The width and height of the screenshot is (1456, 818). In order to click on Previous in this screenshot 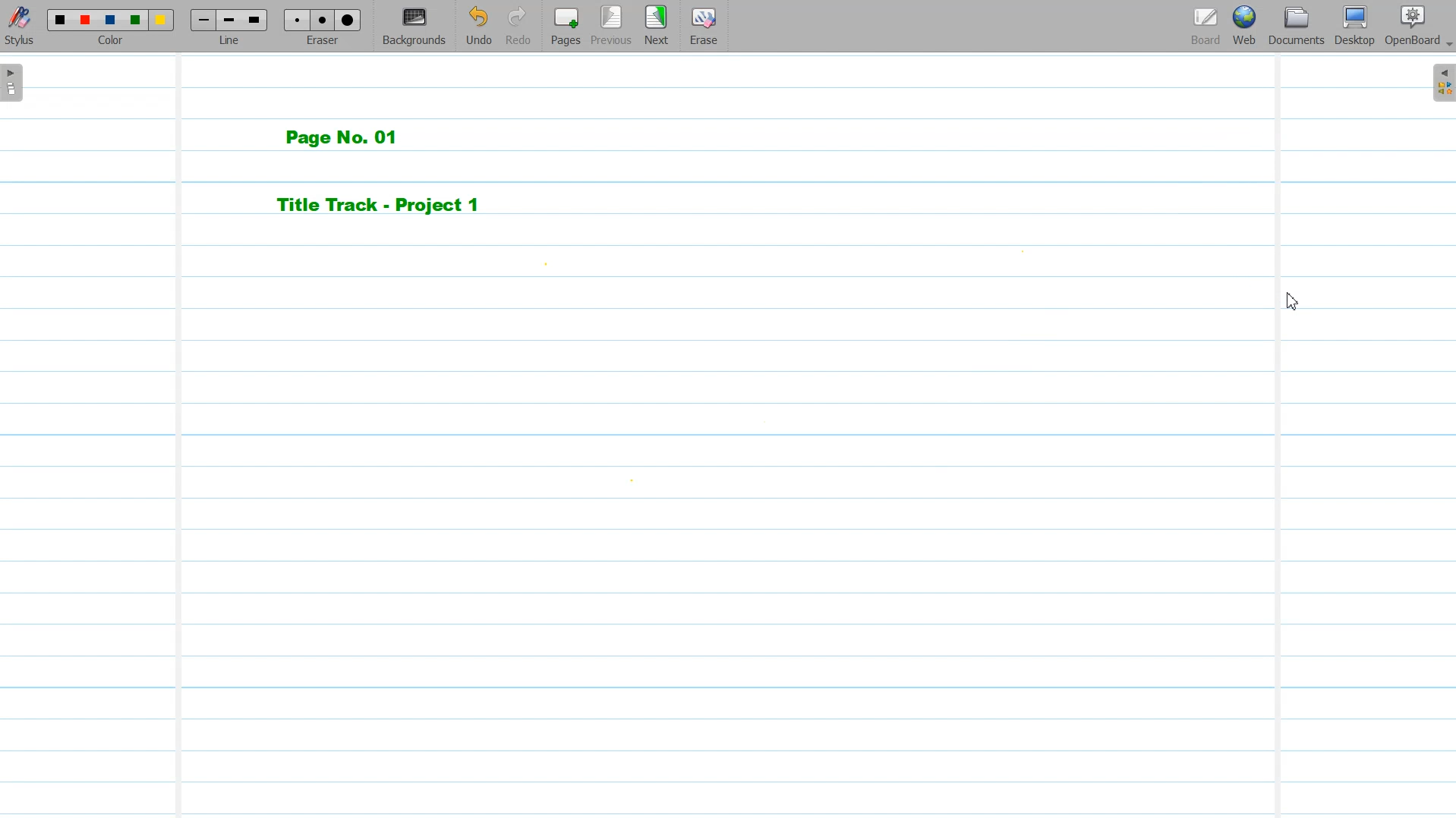, I will do `click(612, 26)`.